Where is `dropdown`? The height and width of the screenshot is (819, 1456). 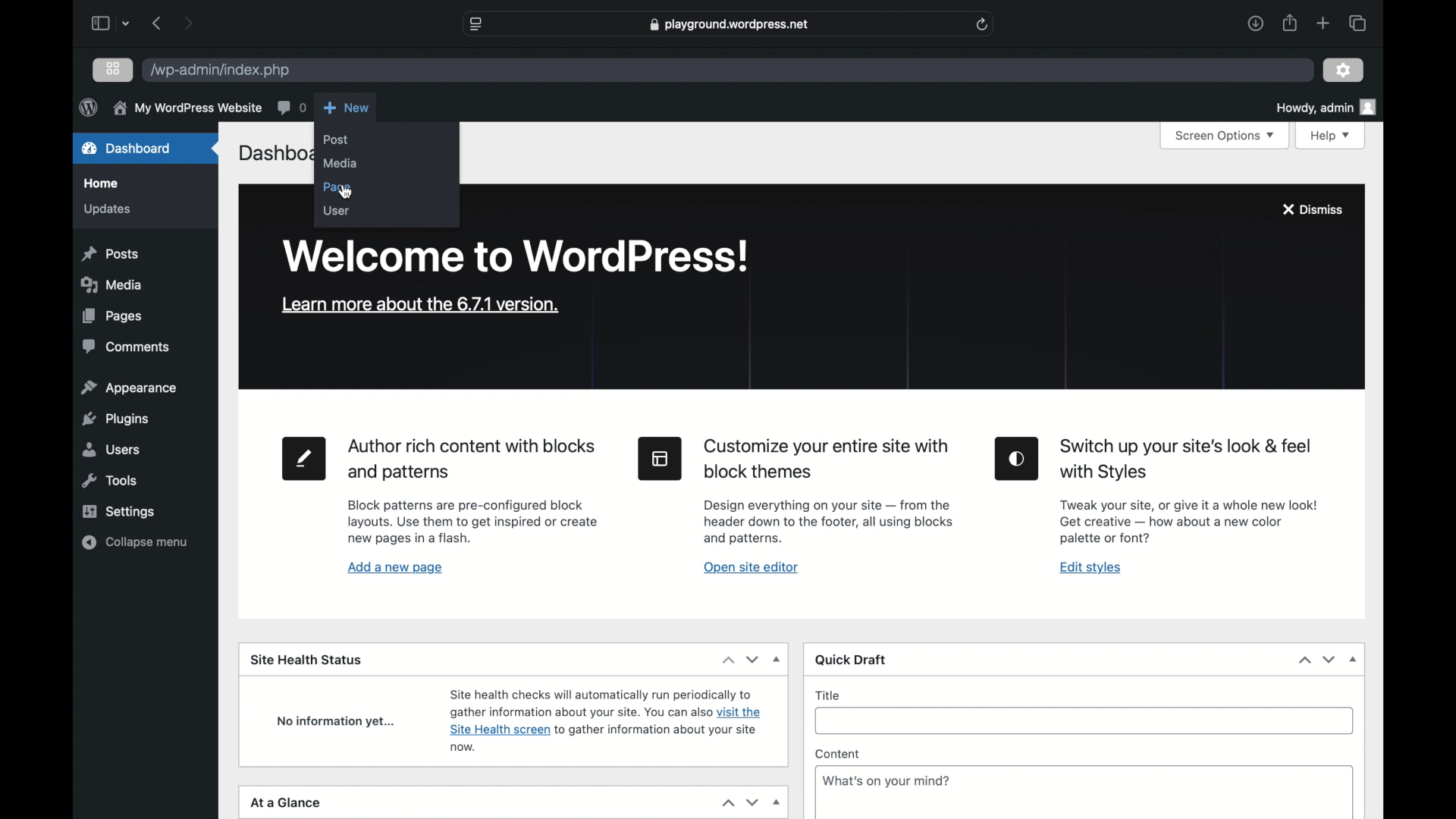
dropdown is located at coordinates (1354, 659).